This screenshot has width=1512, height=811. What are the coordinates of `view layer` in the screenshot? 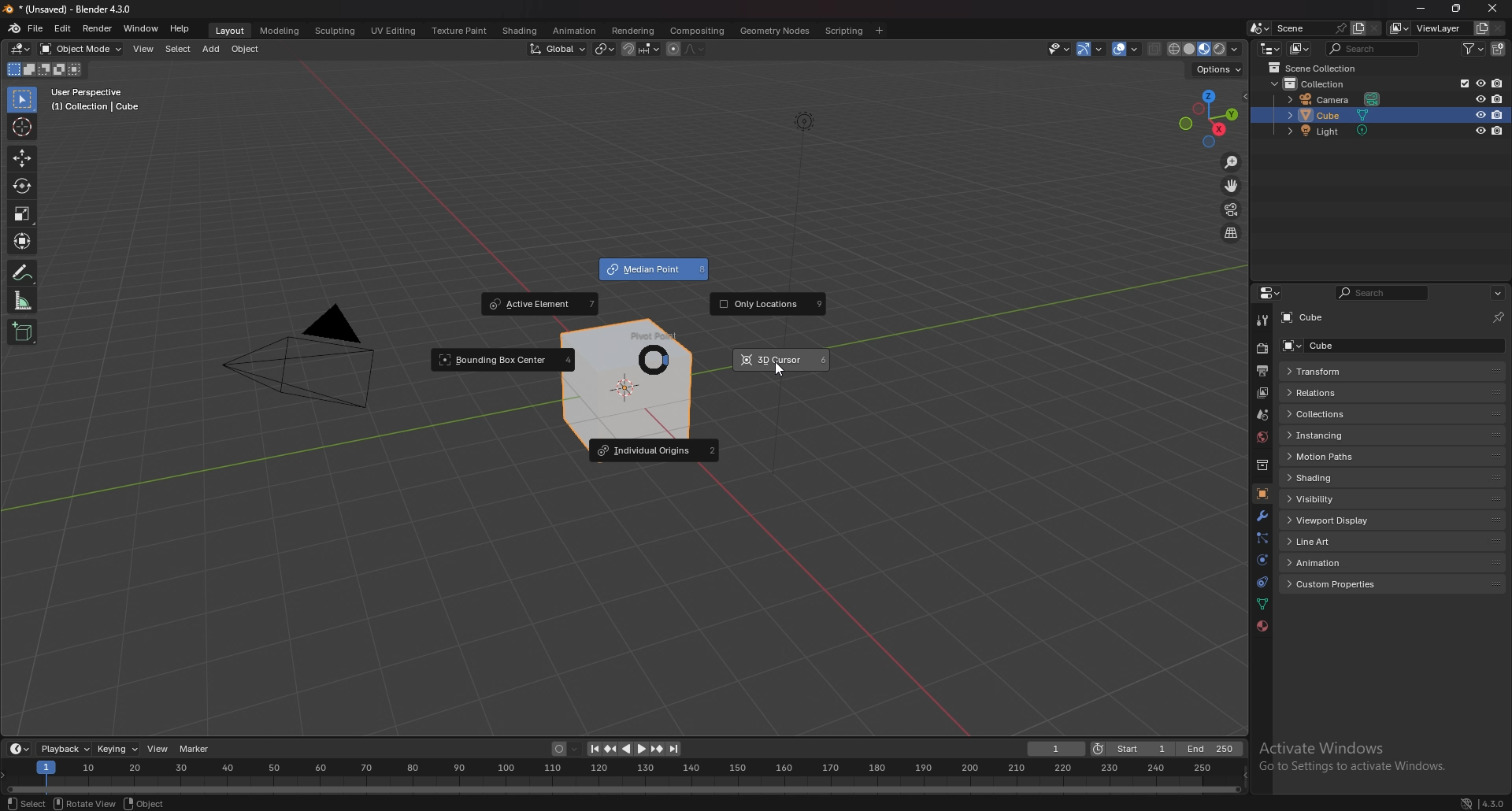 It's located at (1427, 28).